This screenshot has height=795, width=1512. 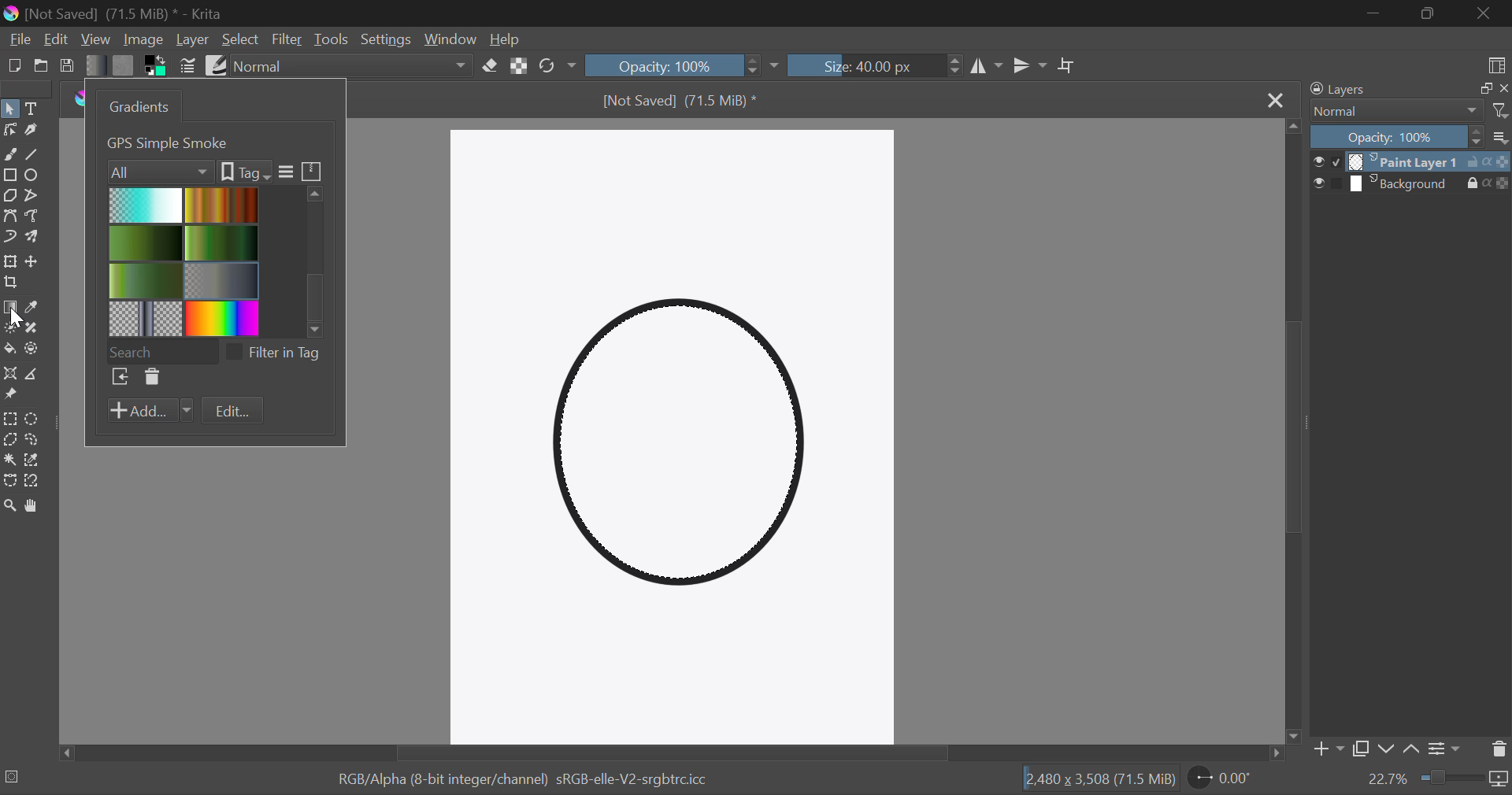 What do you see at coordinates (37, 349) in the screenshot?
I see `Enclose and Fill` at bounding box center [37, 349].